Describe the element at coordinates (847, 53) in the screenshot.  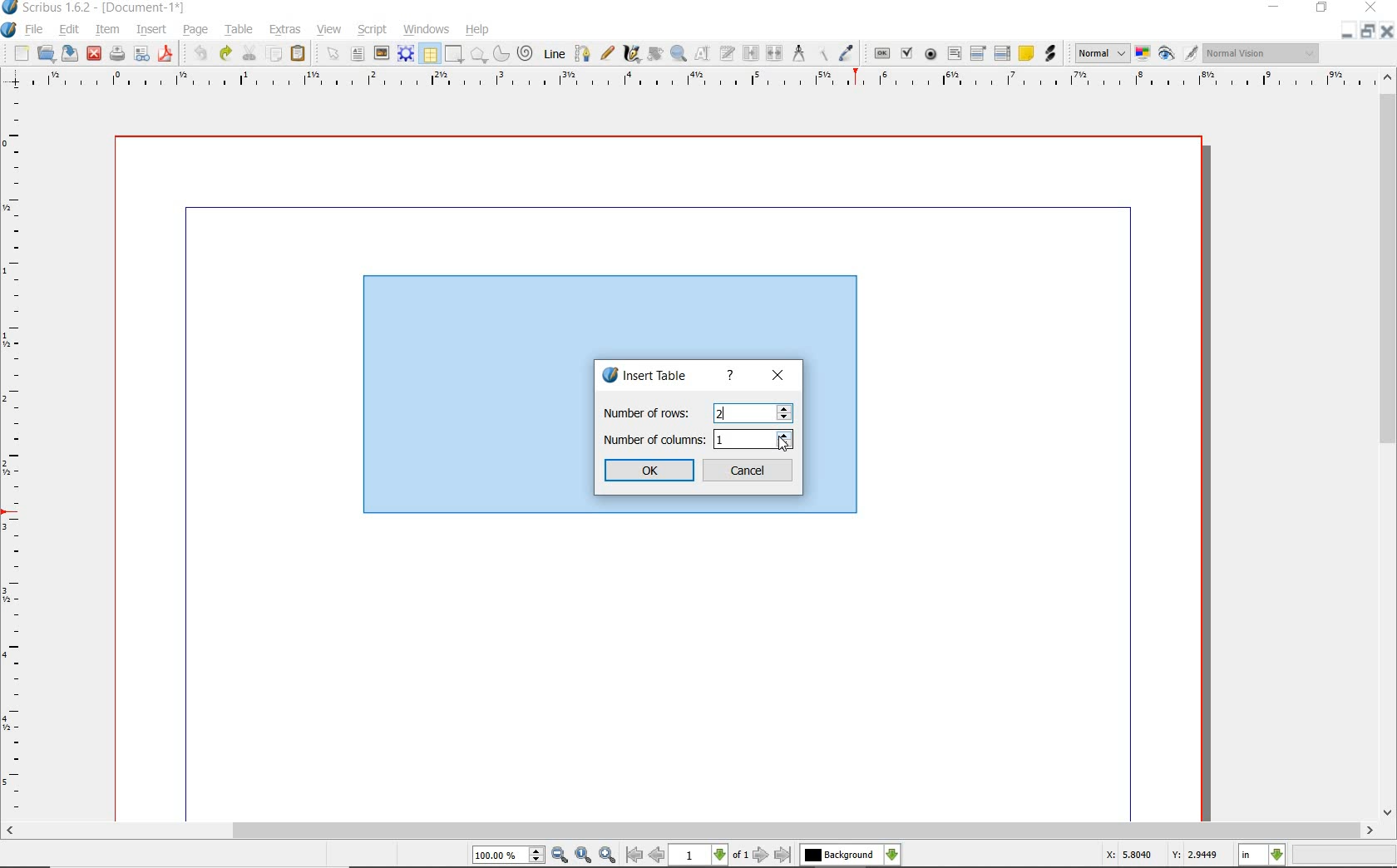
I see `eye dropper` at that location.